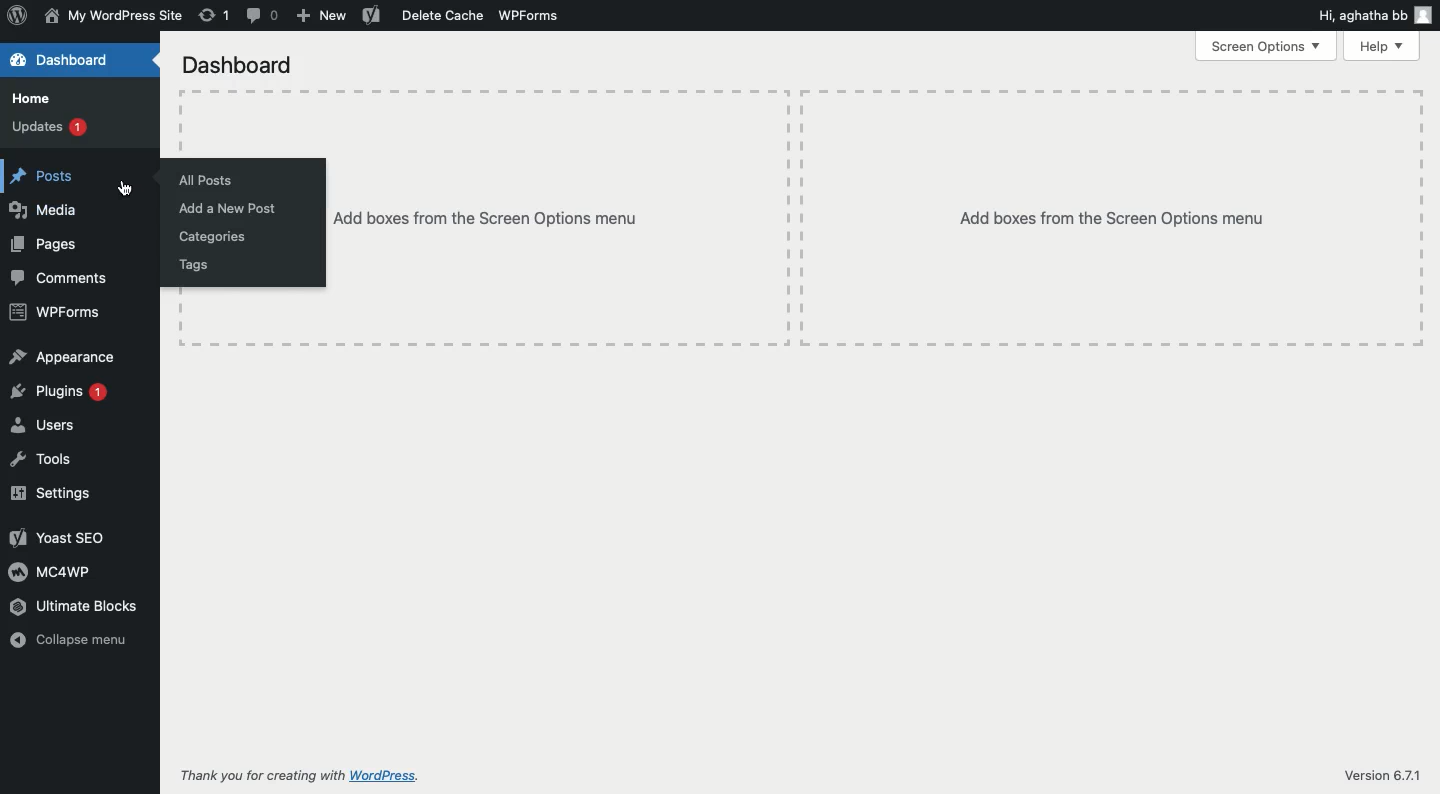 The width and height of the screenshot is (1440, 794). What do you see at coordinates (50, 247) in the screenshot?
I see `Pages` at bounding box center [50, 247].